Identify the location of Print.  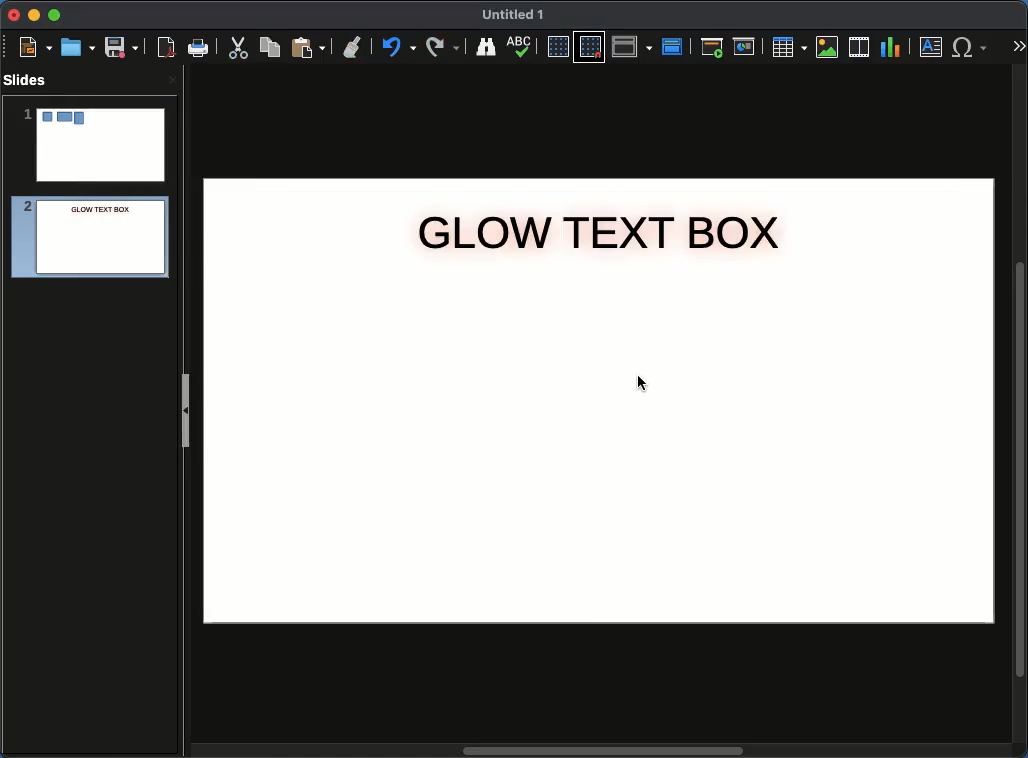
(199, 49).